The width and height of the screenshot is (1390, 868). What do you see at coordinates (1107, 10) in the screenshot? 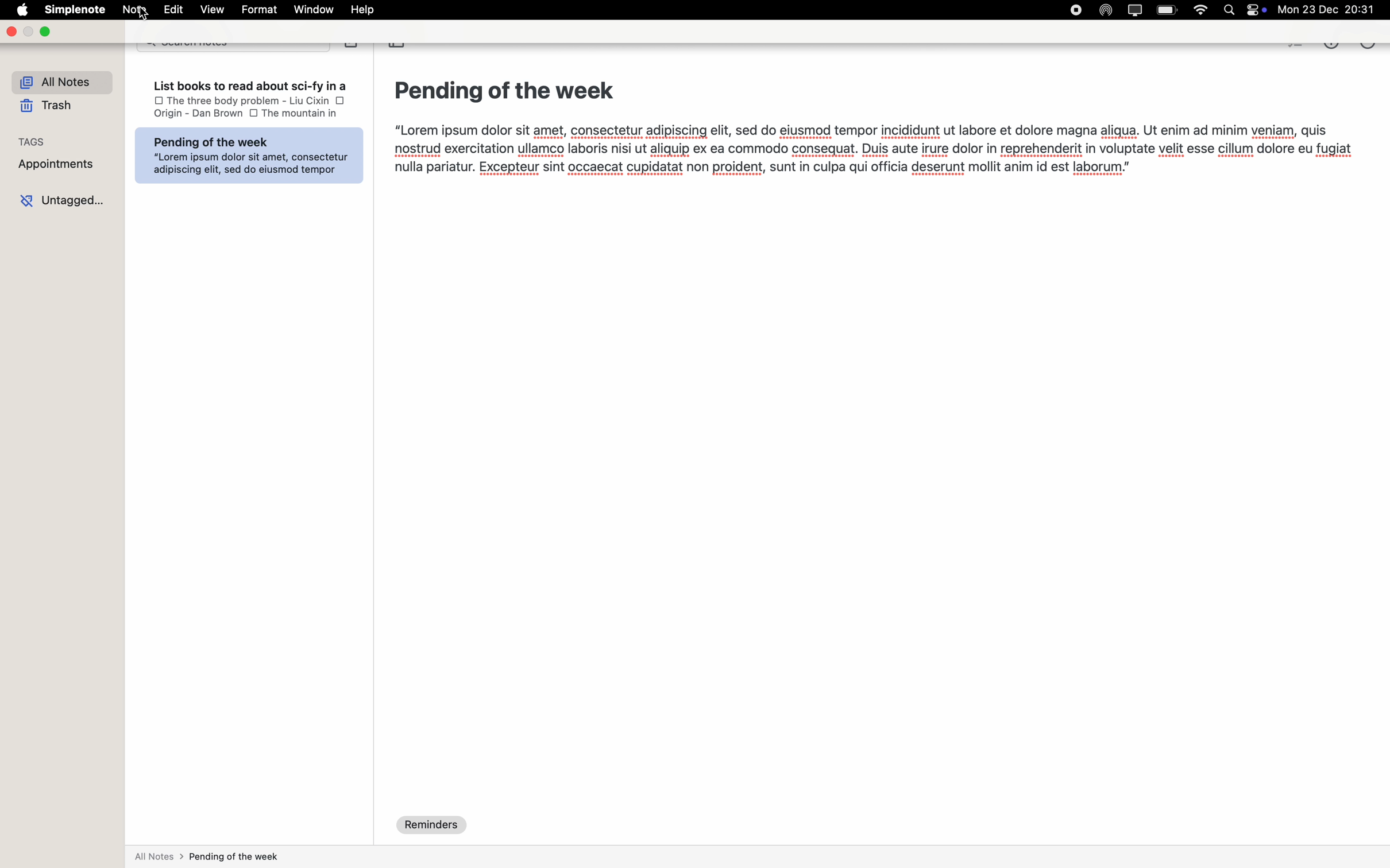
I see `Airdrop` at bounding box center [1107, 10].